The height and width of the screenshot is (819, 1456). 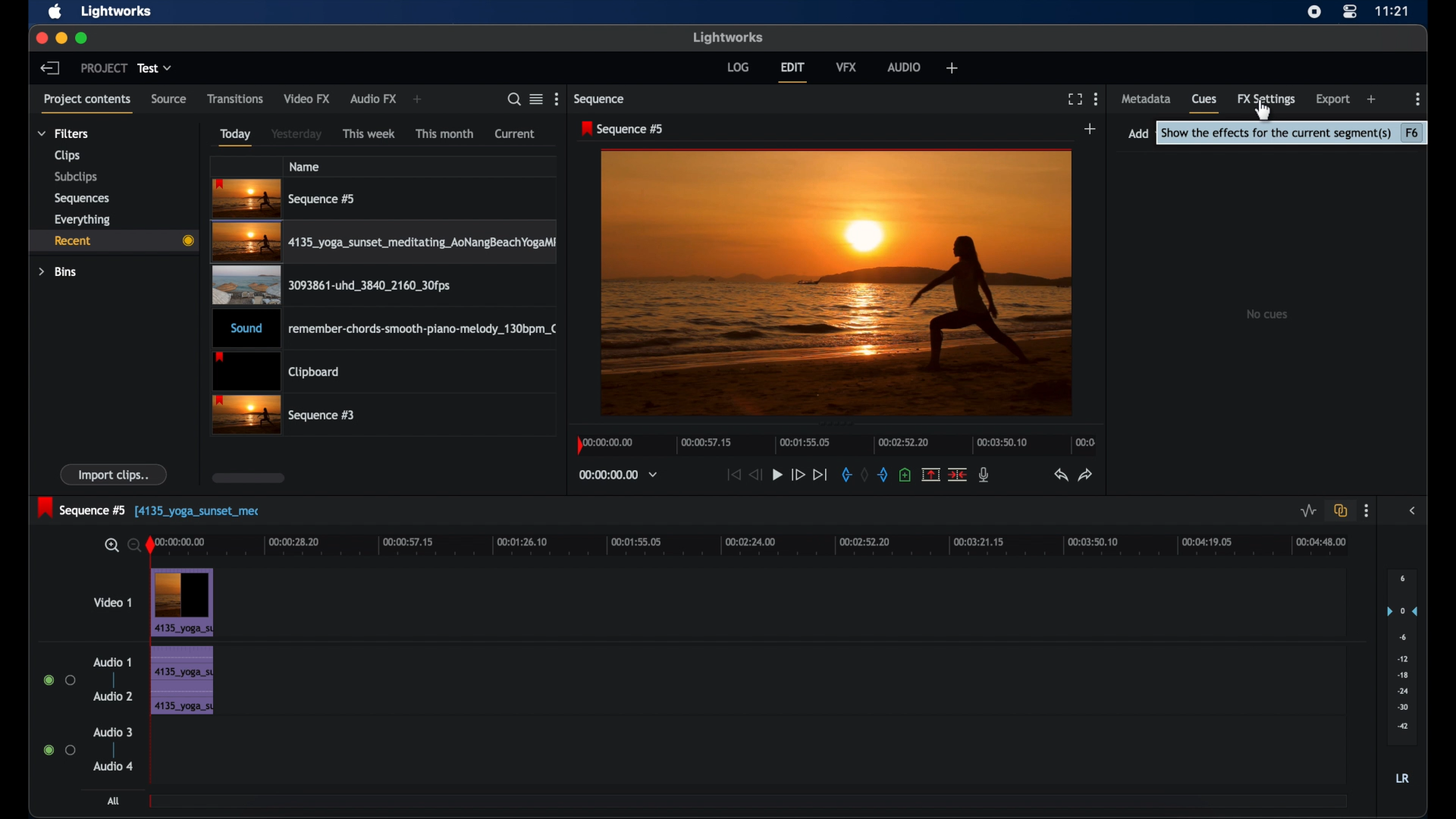 What do you see at coordinates (1341, 511) in the screenshot?
I see `toggle auto track sync` at bounding box center [1341, 511].